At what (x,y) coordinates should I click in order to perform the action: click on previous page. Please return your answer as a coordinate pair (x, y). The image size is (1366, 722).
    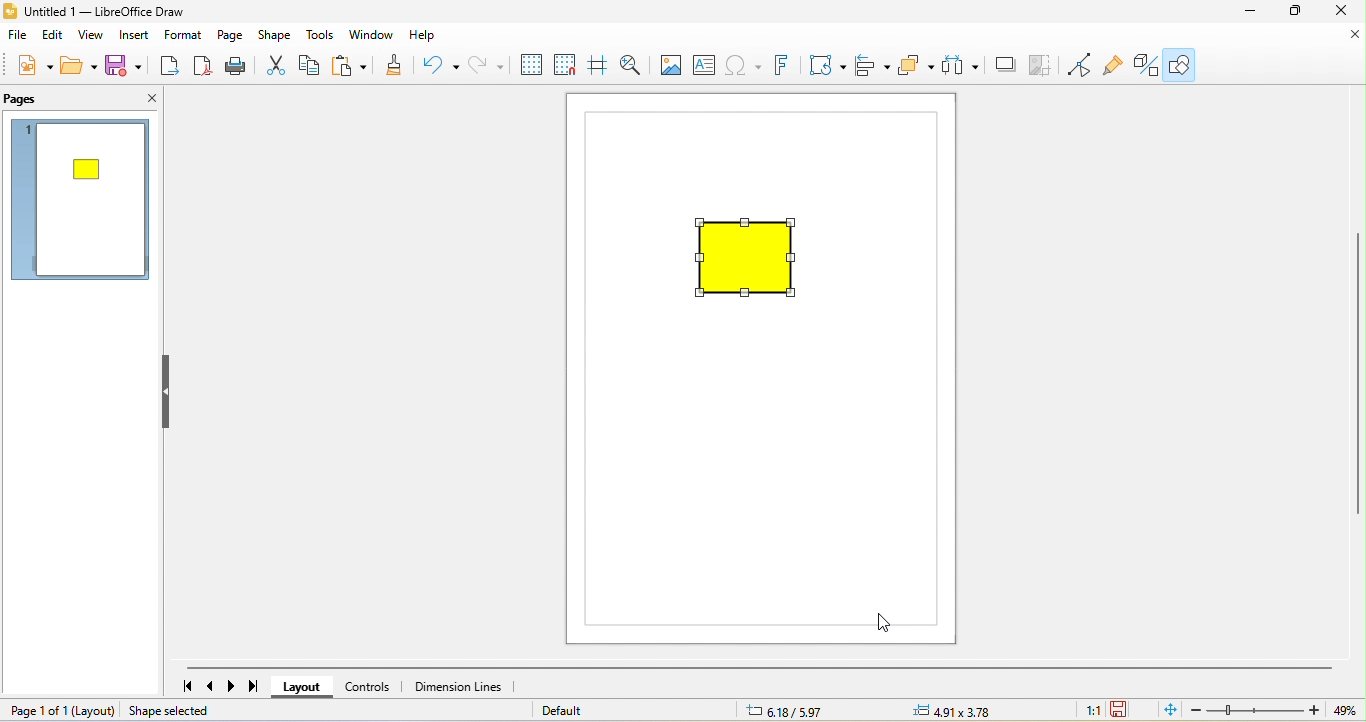
    Looking at the image, I should click on (210, 685).